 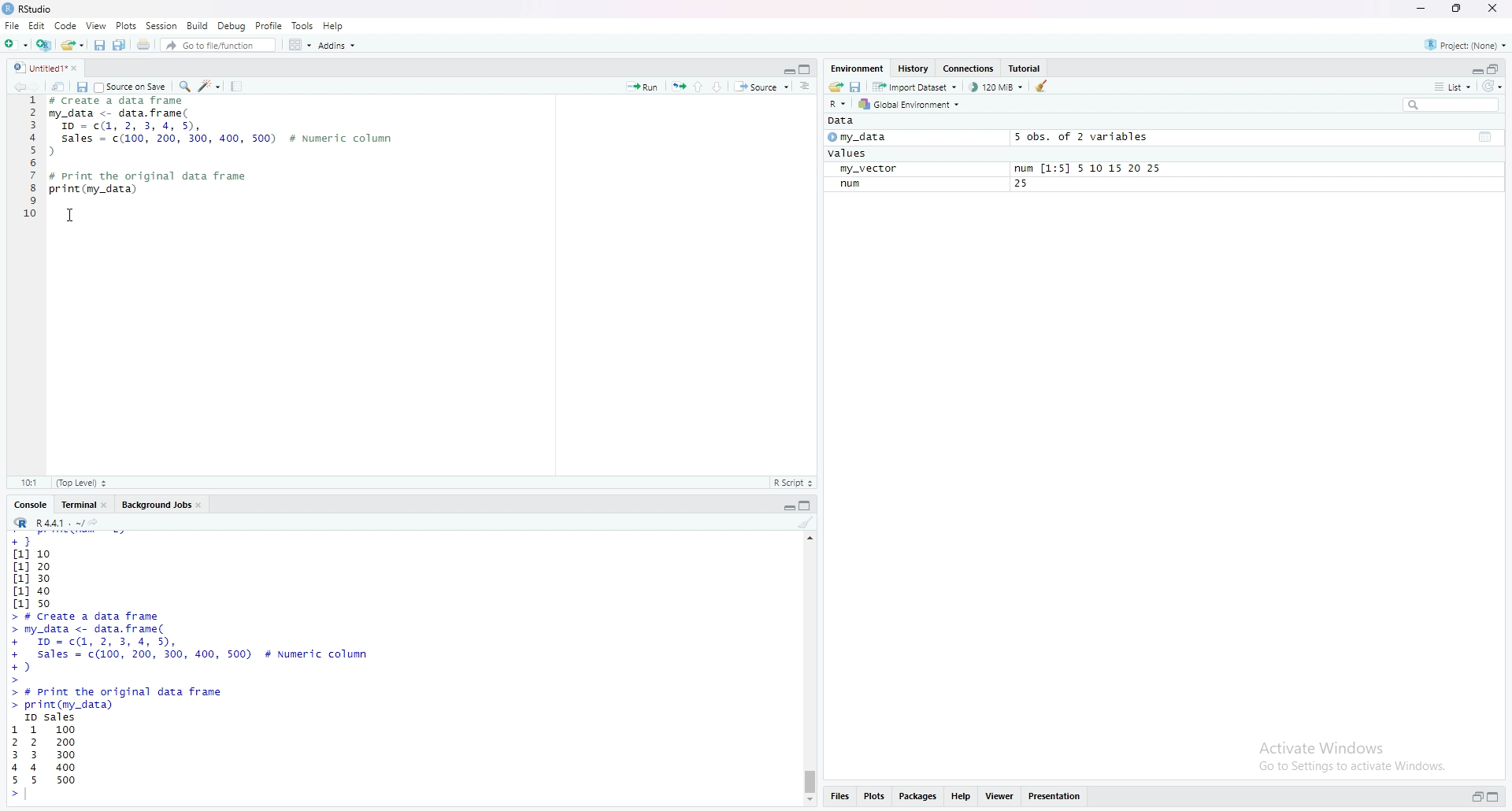 I want to click on re-run the previous code region, so click(x=677, y=87).